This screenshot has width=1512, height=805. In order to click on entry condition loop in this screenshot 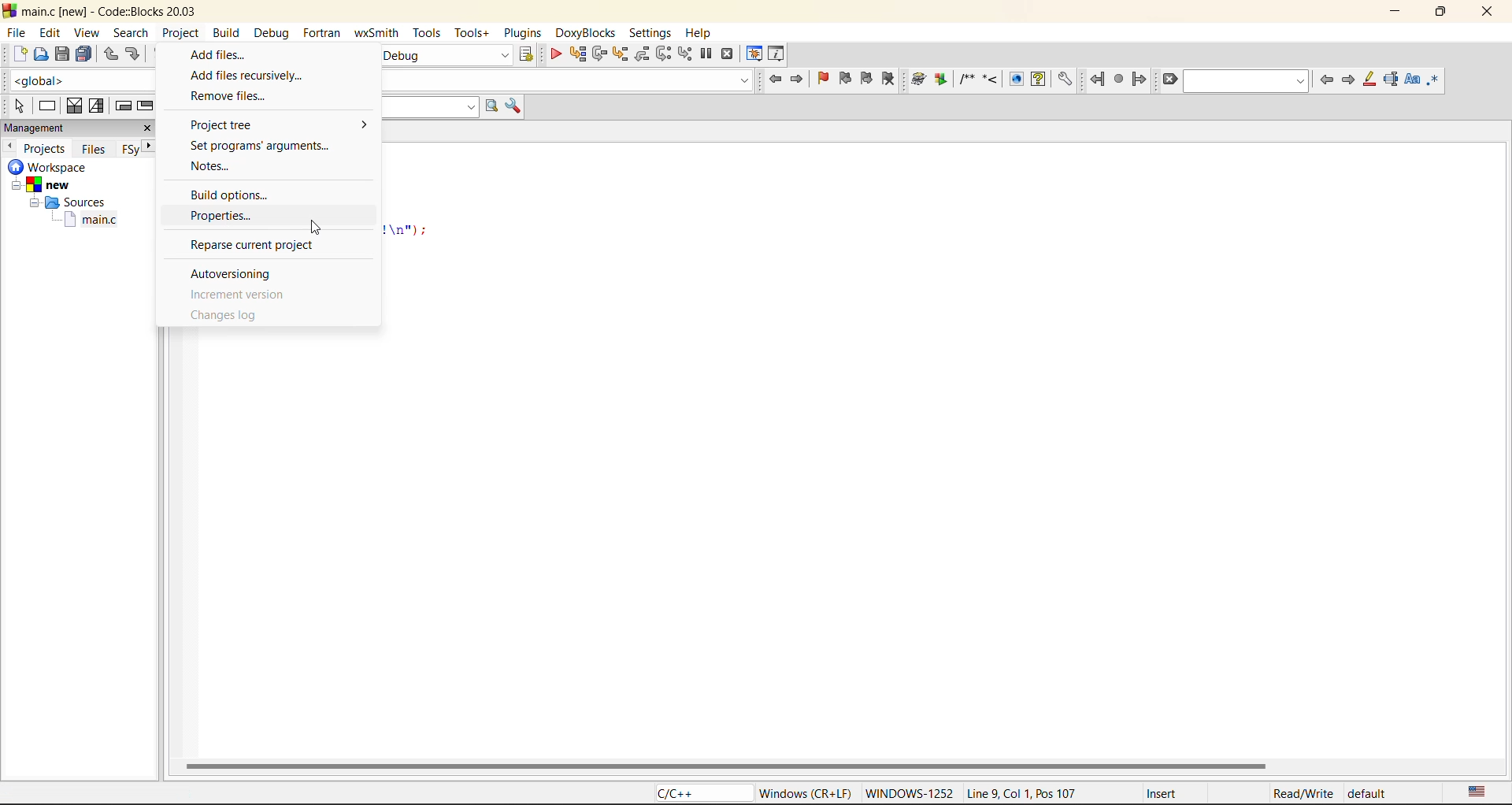, I will do `click(122, 107)`.